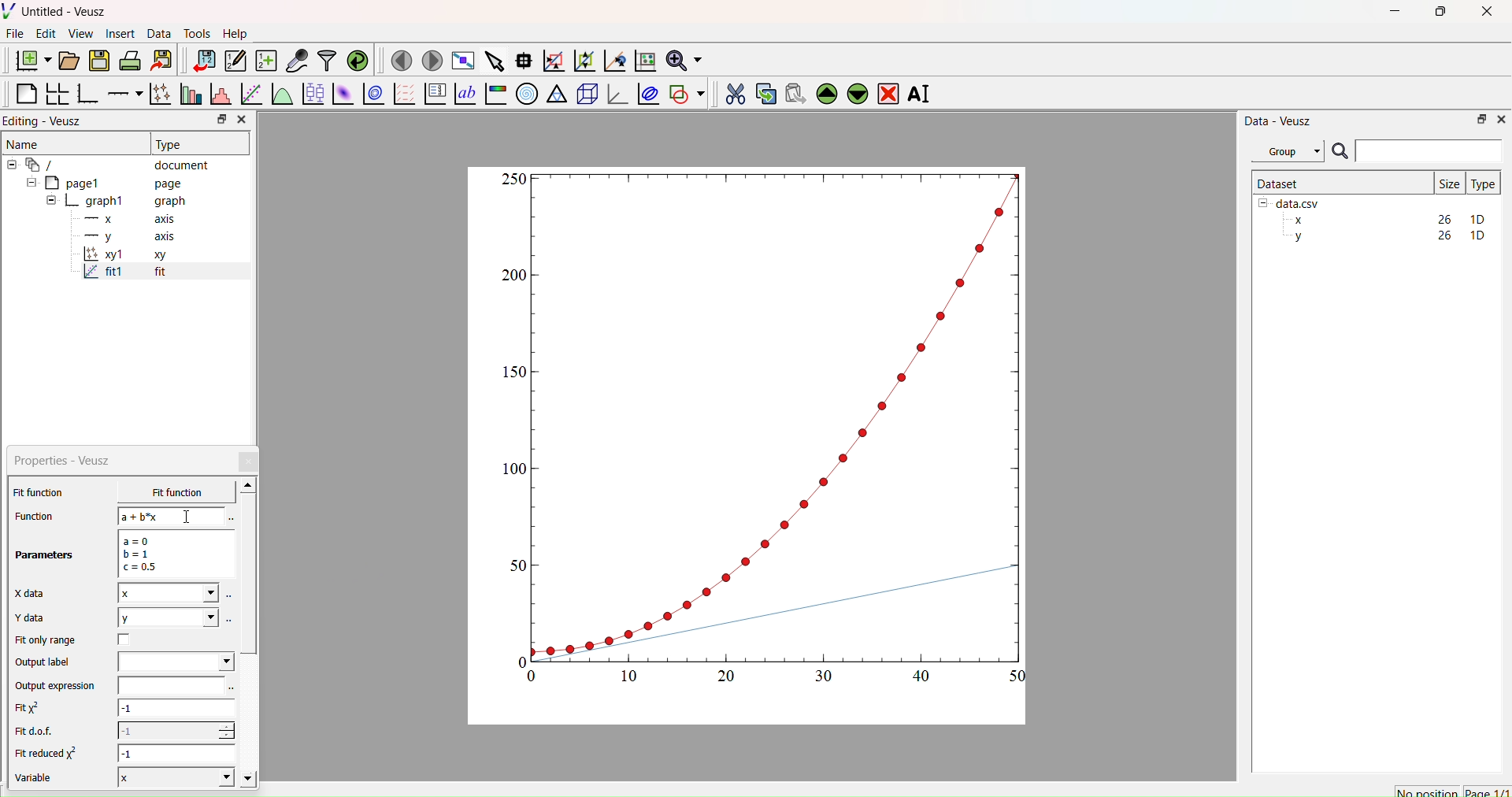  Describe the element at coordinates (1449, 182) in the screenshot. I see `| Size` at that location.